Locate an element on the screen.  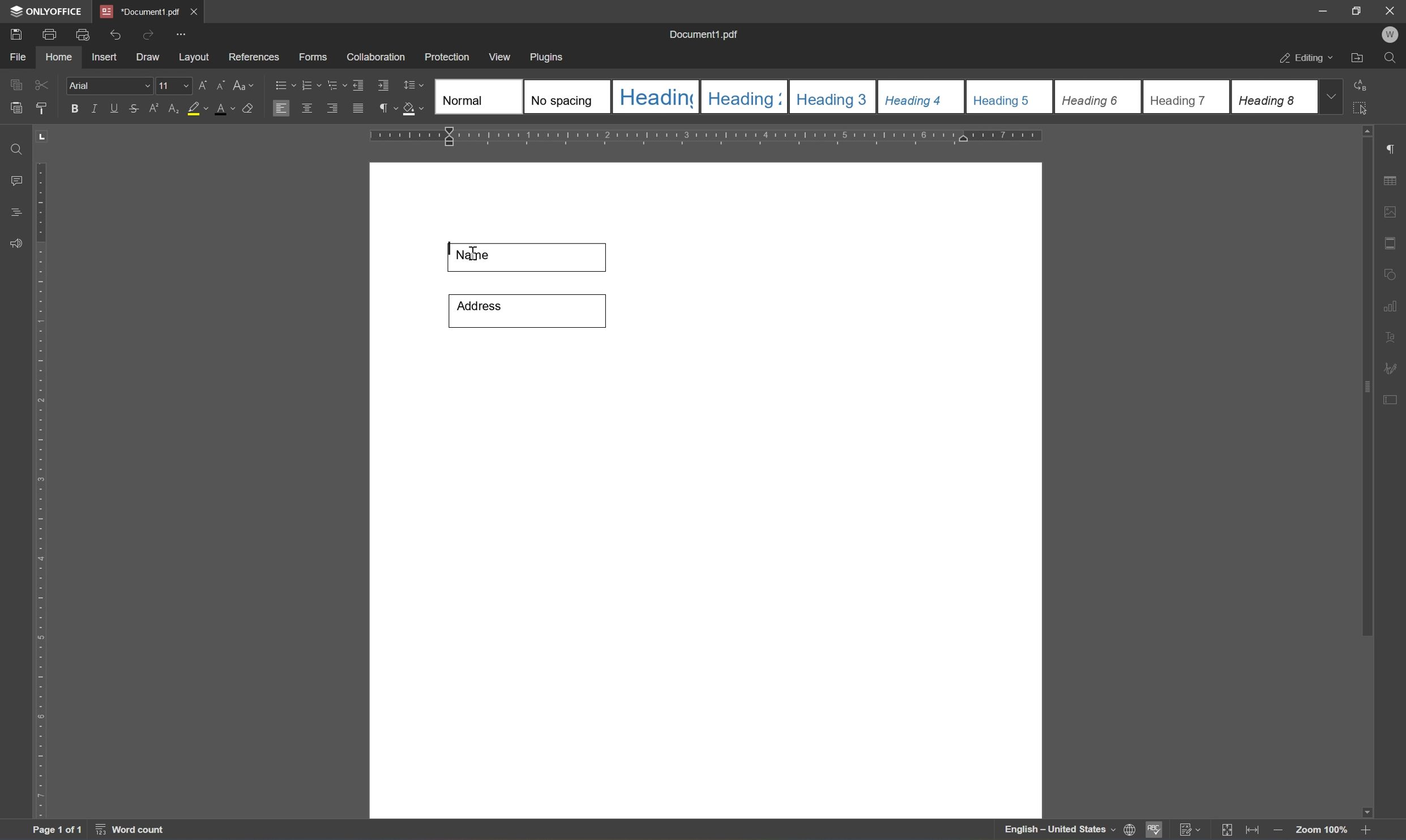
cut is located at coordinates (45, 84).